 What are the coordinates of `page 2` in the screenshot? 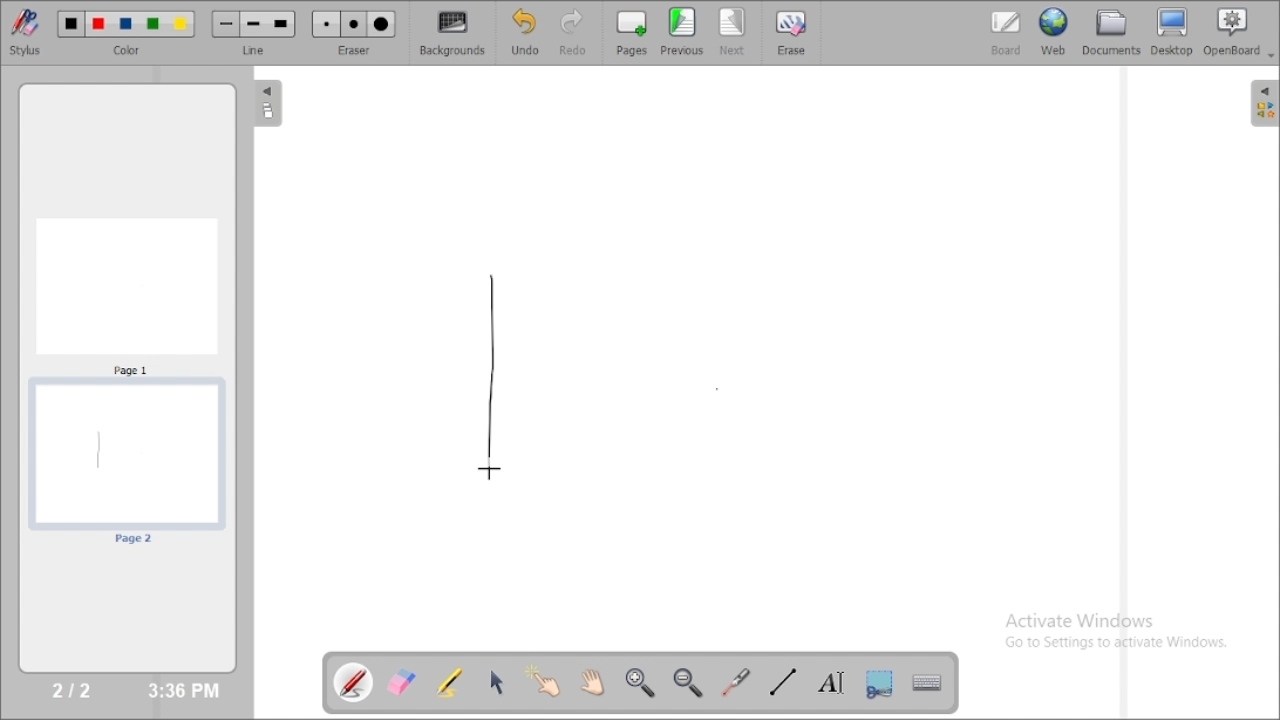 It's located at (126, 464).